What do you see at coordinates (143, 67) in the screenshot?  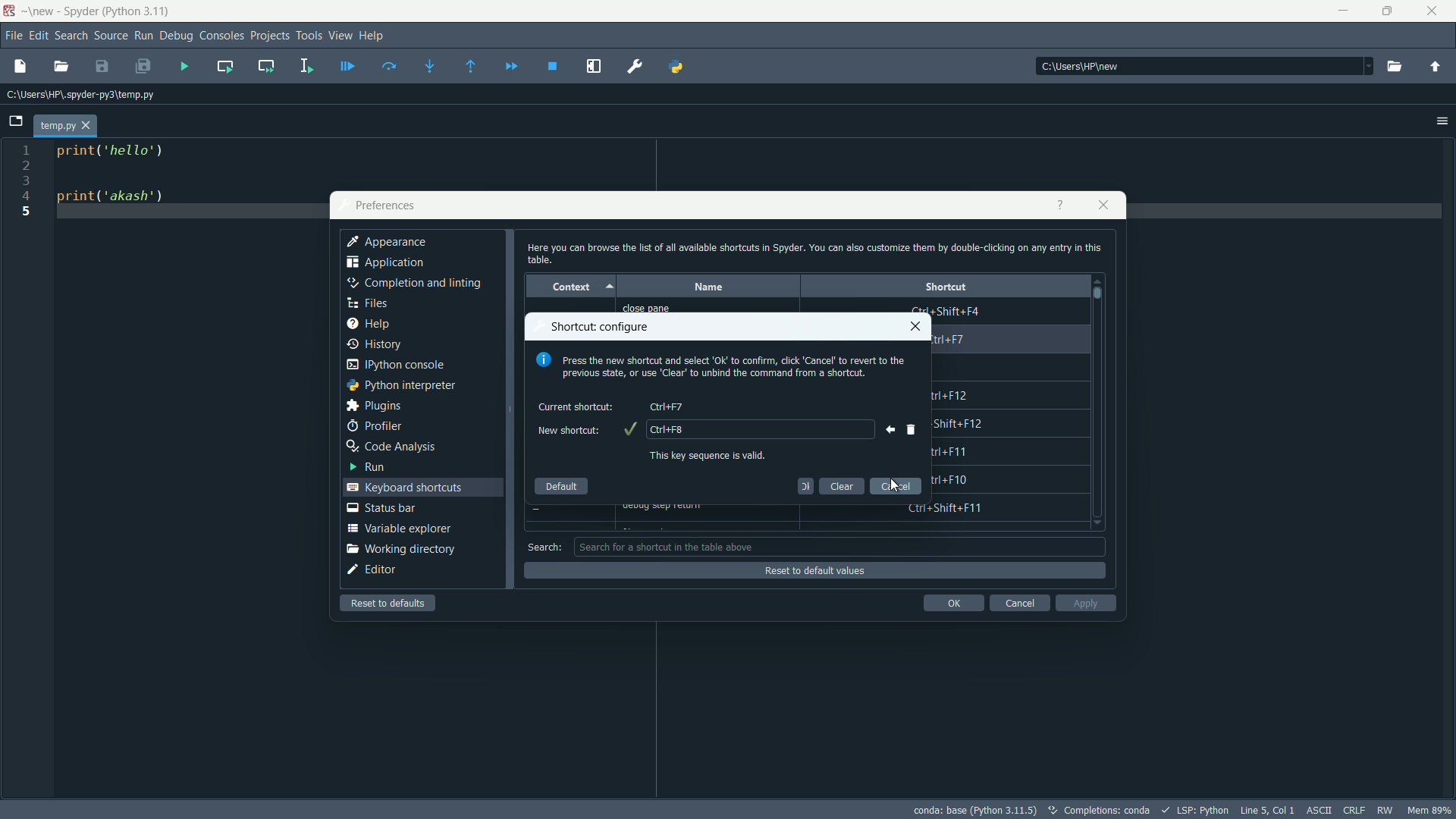 I see `save all files` at bounding box center [143, 67].